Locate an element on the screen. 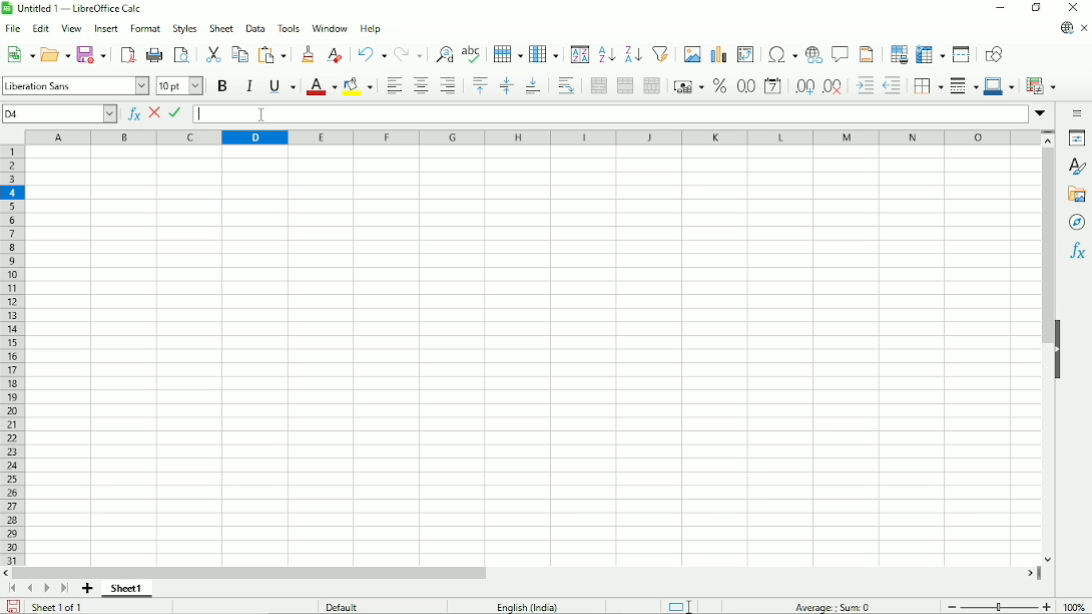 This screenshot has width=1092, height=614. Standard selection is located at coordinates (681, 605).